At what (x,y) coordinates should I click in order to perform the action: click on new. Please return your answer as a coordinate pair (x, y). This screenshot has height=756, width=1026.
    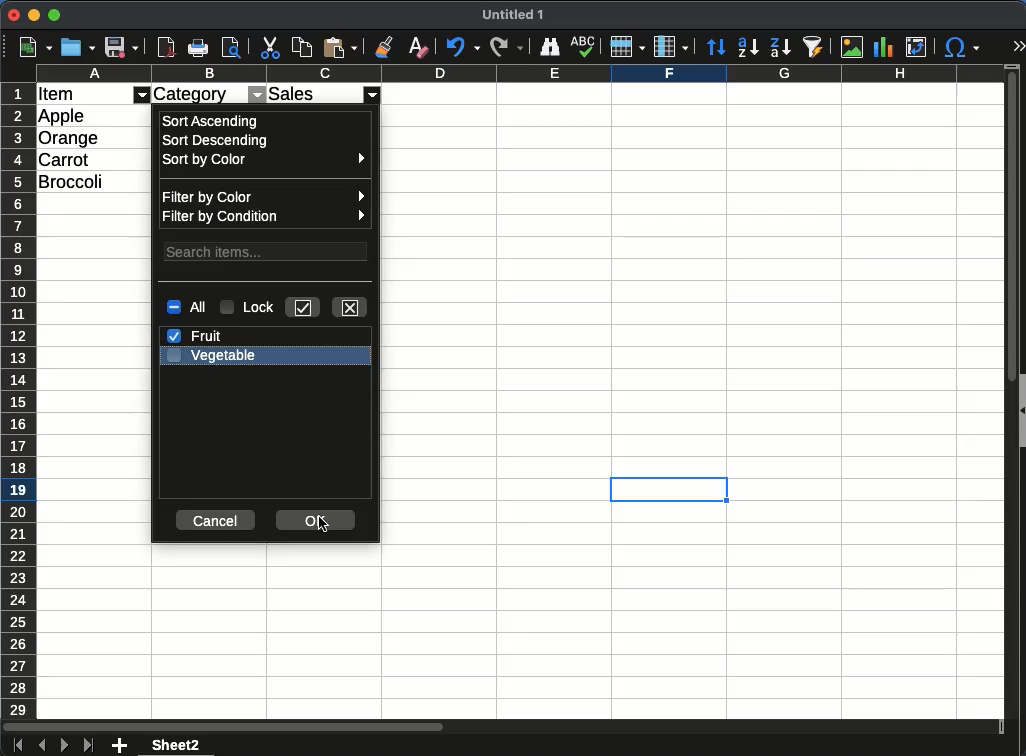
    Looking at the image, I should click on (36, 47).